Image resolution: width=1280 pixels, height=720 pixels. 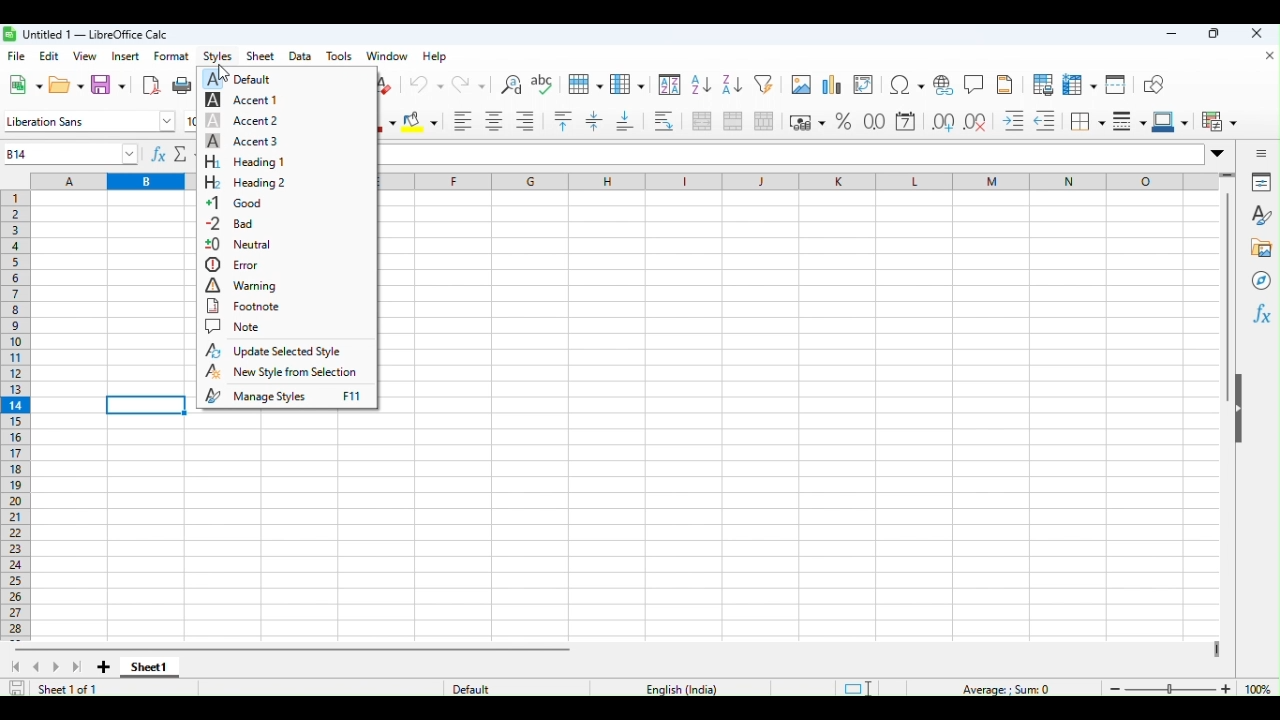 I want to click on update selected style, so click(x=283, y=351).